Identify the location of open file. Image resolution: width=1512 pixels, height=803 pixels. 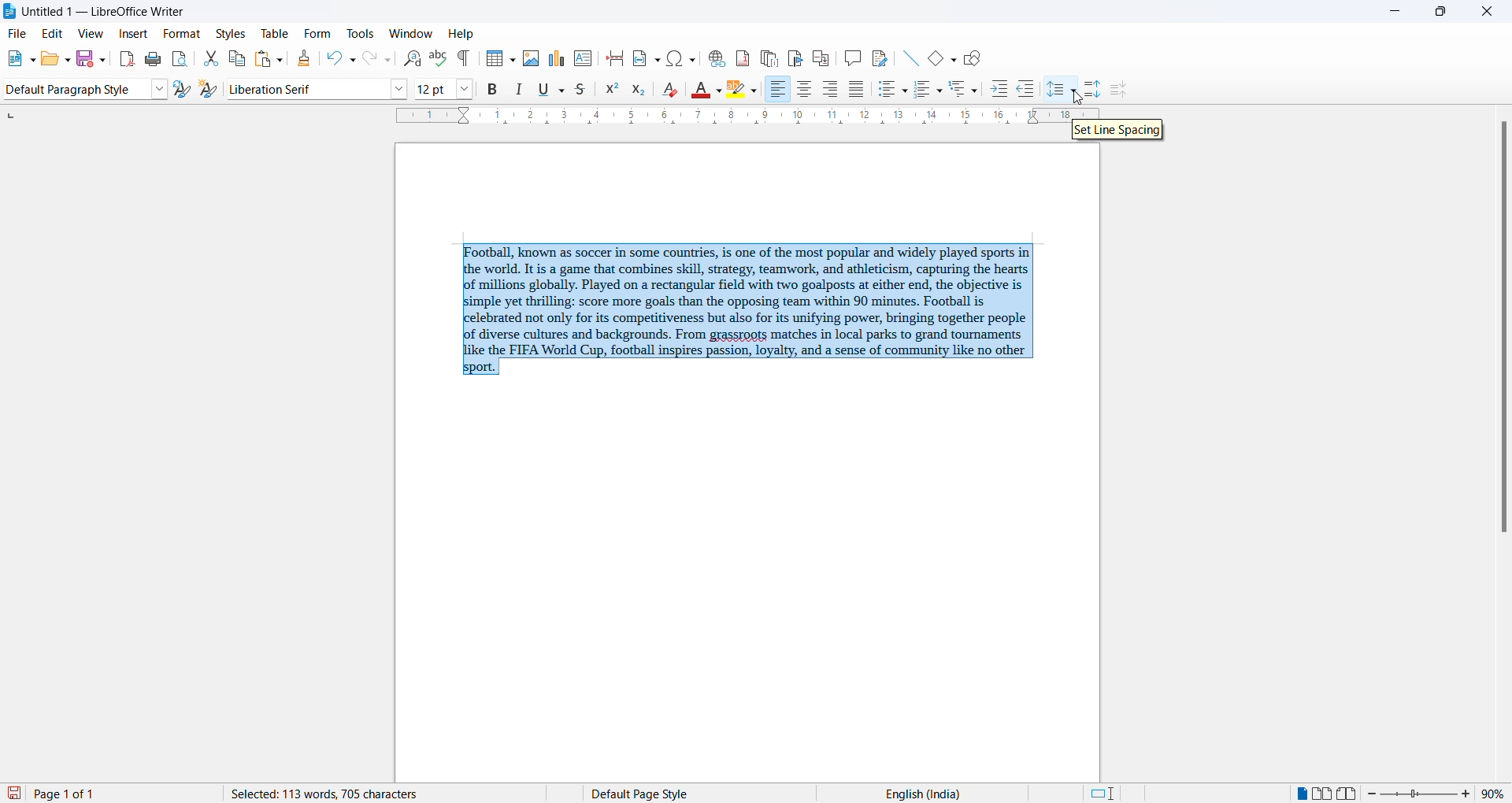
(46, 60).